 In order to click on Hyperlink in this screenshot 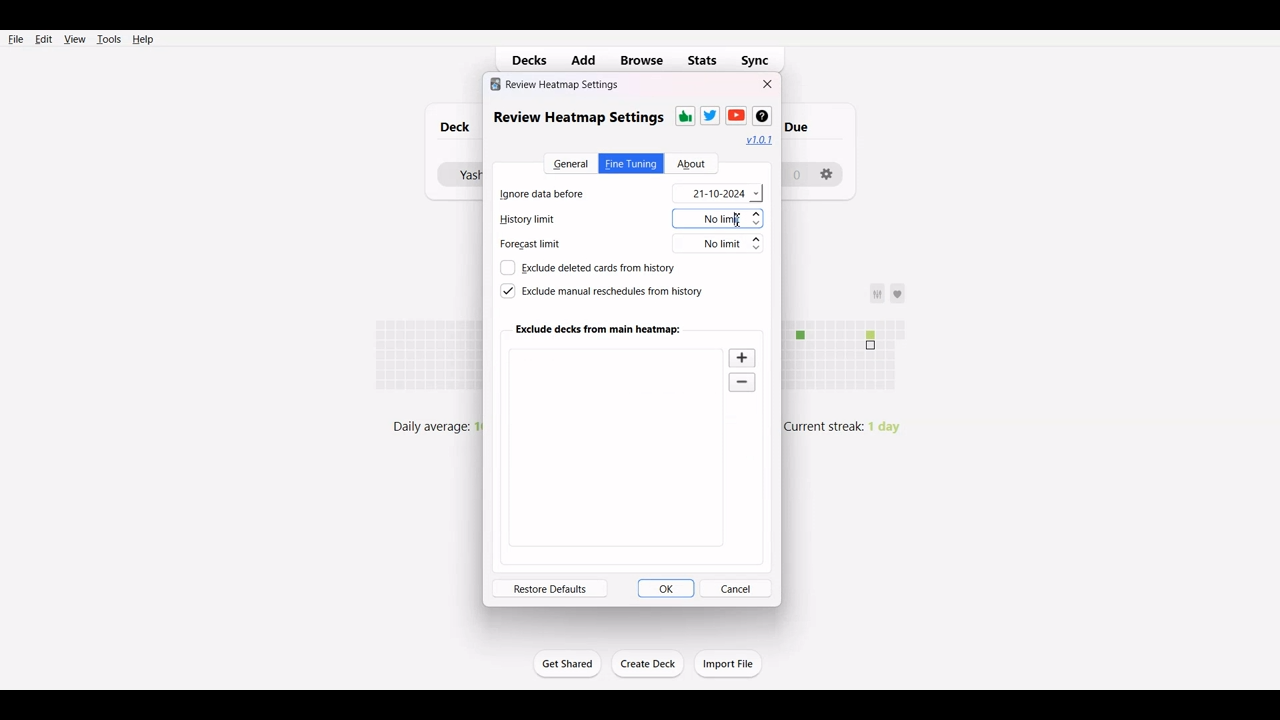, I will do `click(760, 140)`.